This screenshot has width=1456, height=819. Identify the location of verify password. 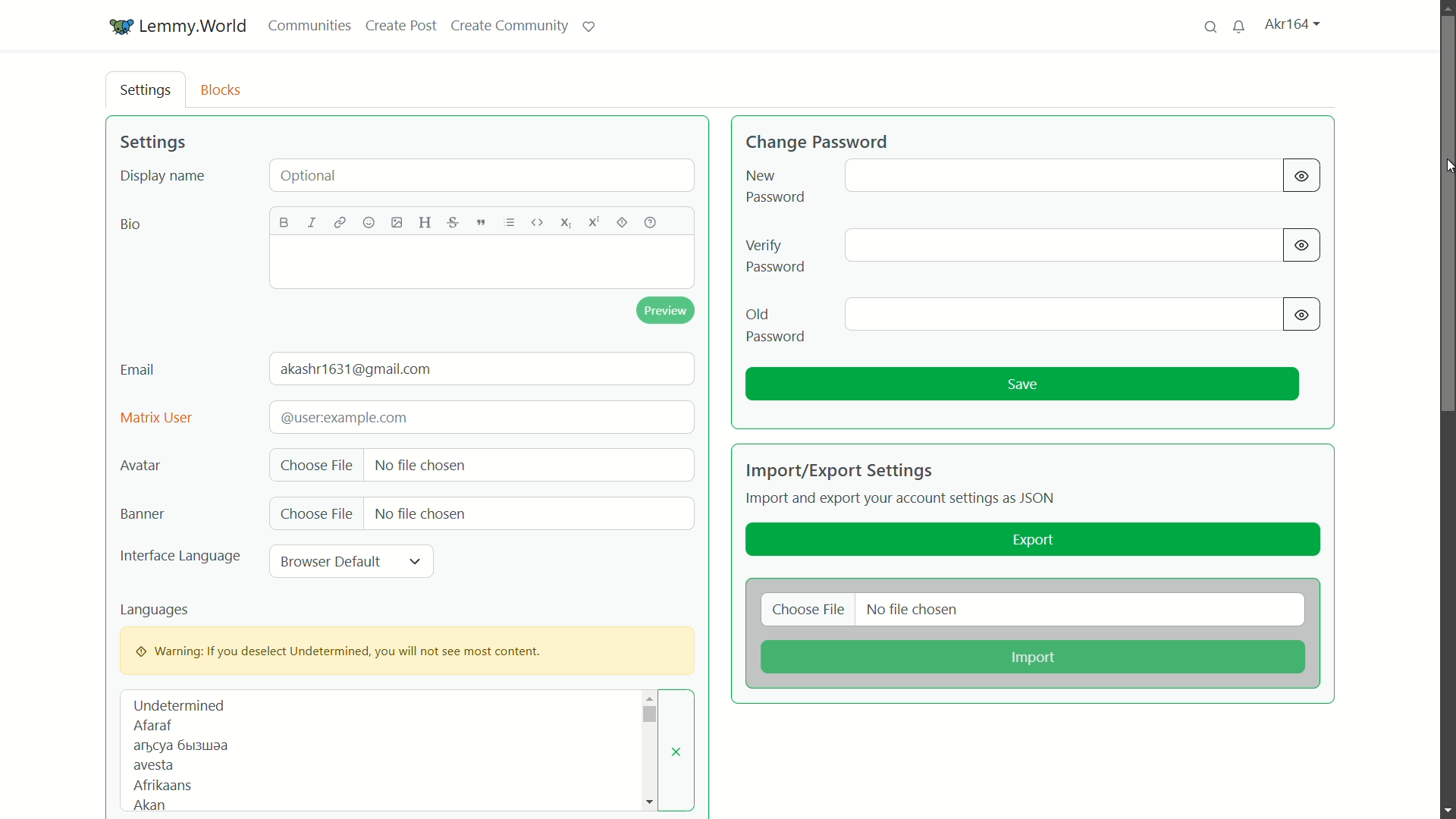
(776, 257).